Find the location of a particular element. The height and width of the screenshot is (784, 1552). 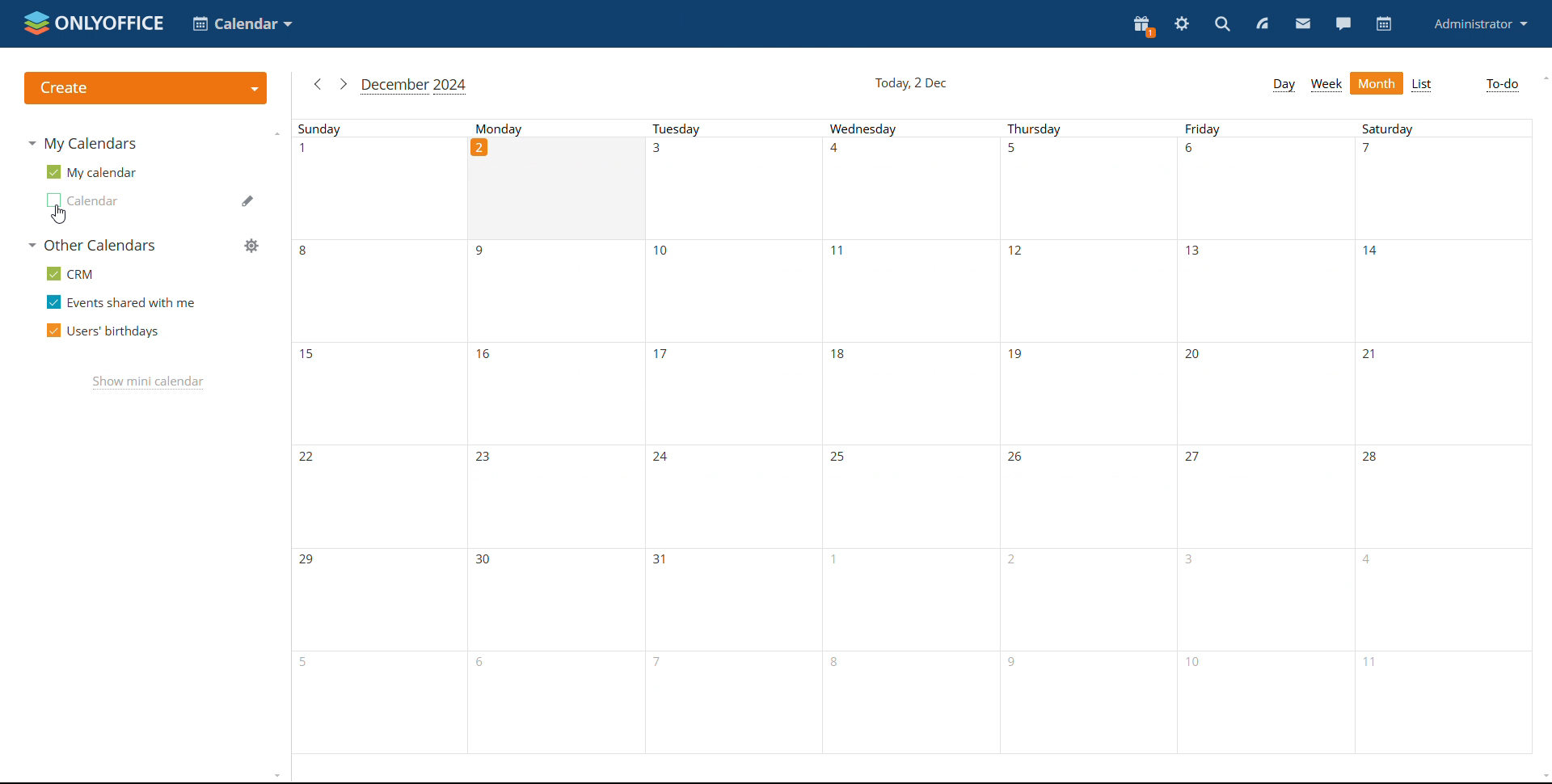

3 is located at coordinates (1263, 599).